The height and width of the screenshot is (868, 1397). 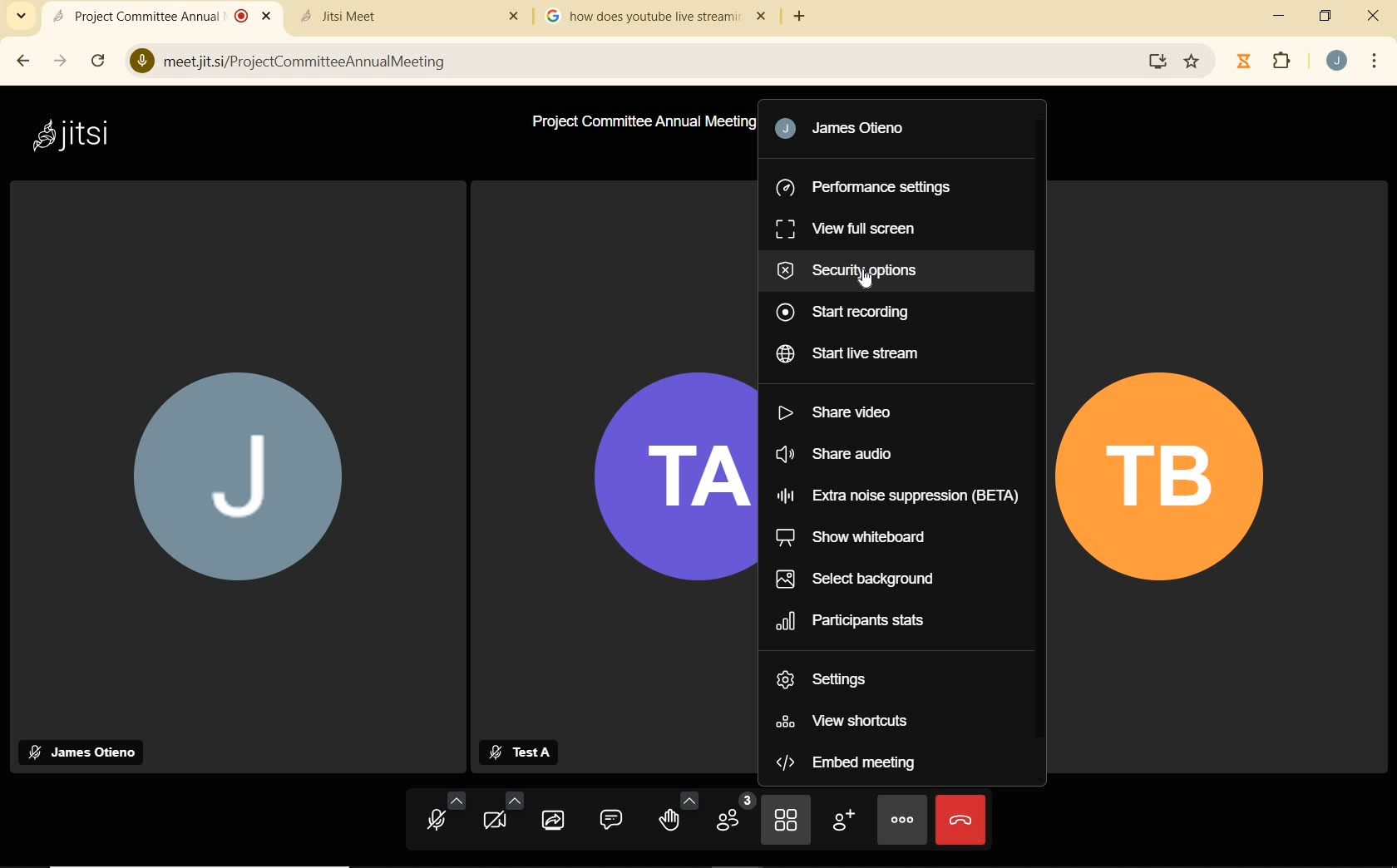 What do you see at coordinates (797, 17) in the screenshot?
I see `ADD TAB` at bounding box center [797, 17].